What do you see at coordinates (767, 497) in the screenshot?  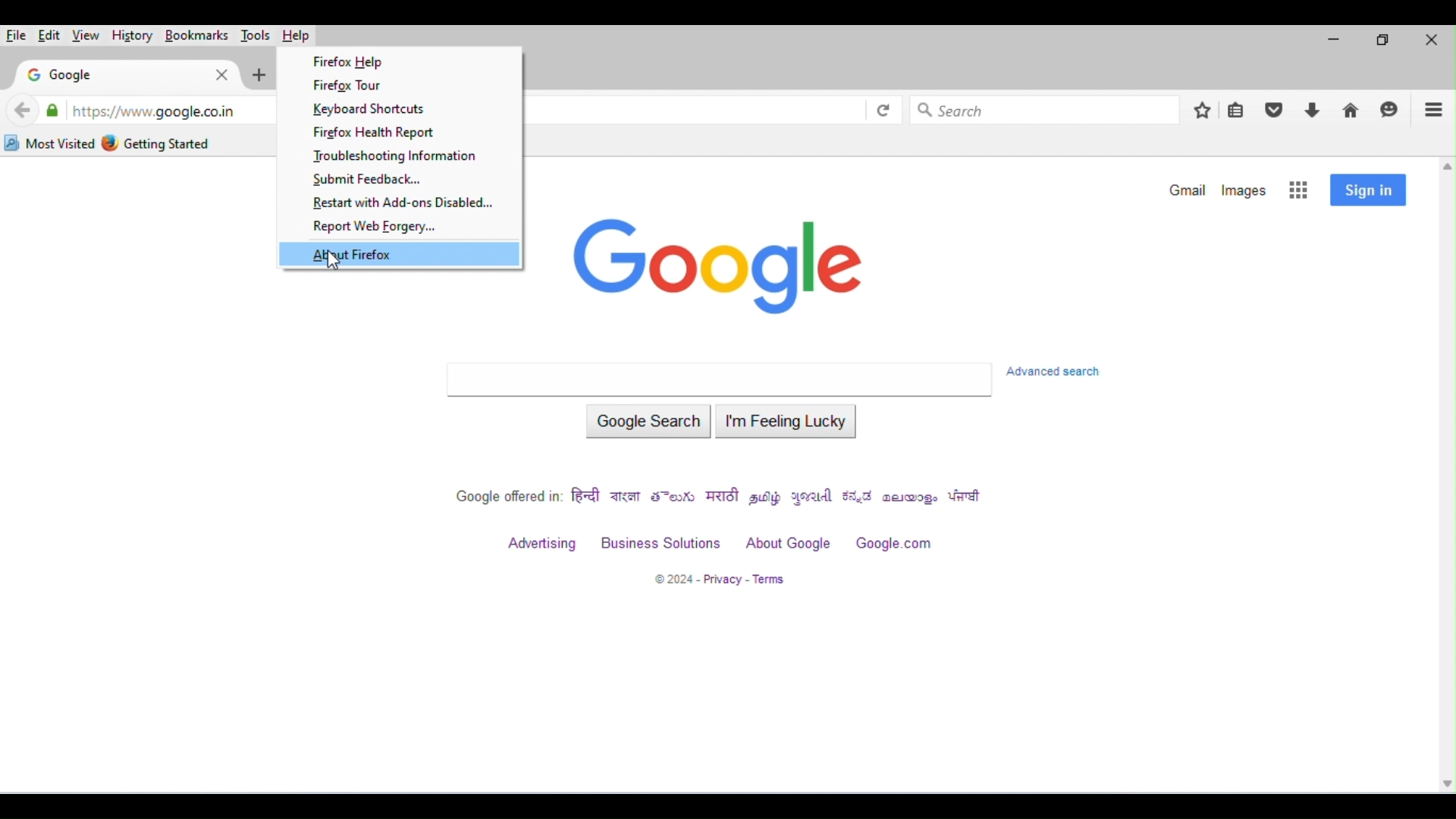 I see `tamil` at bounding box center [767, 497].